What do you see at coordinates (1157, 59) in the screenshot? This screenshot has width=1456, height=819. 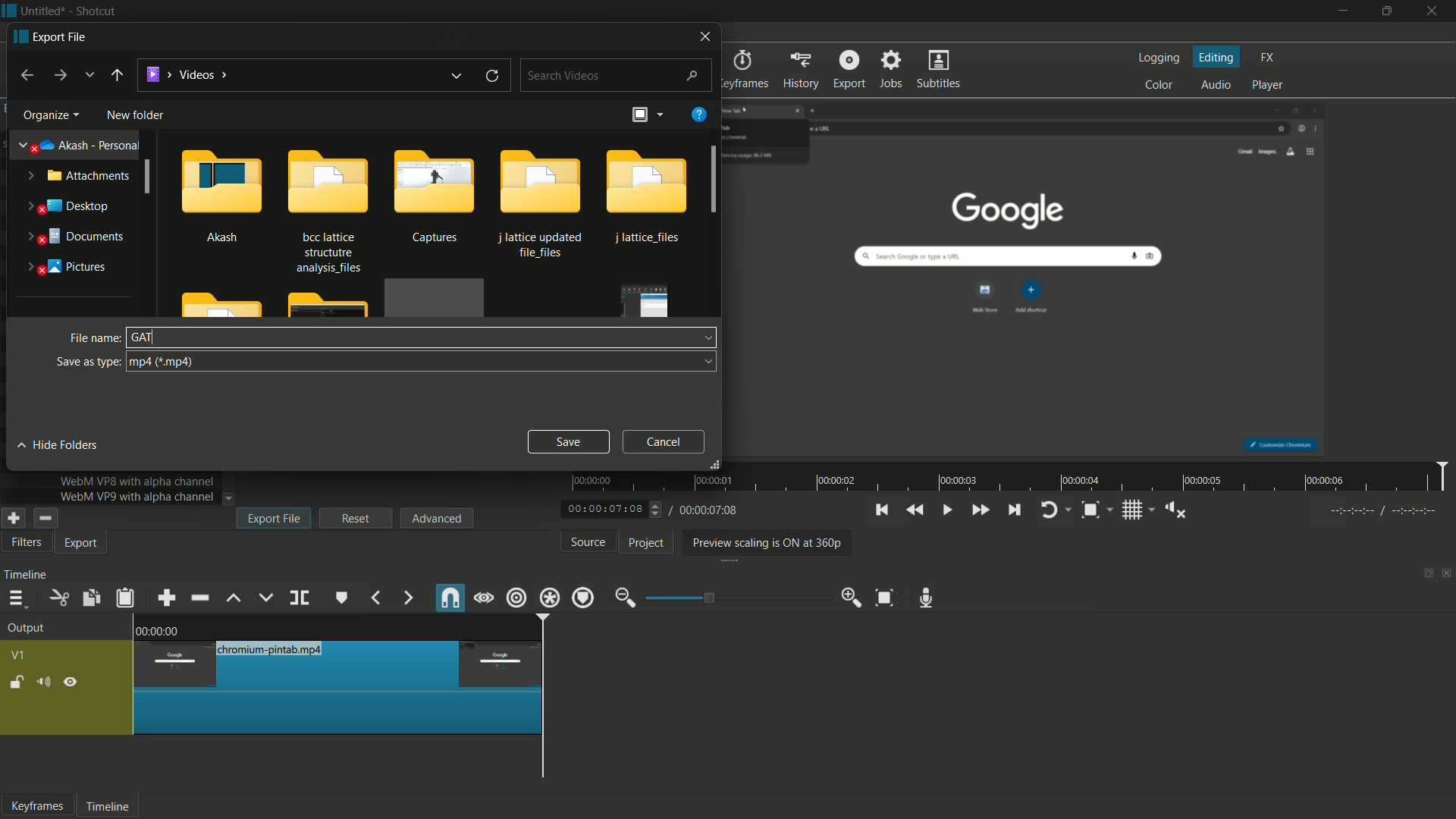 I see `logging` at bounding box center [1157, 59].